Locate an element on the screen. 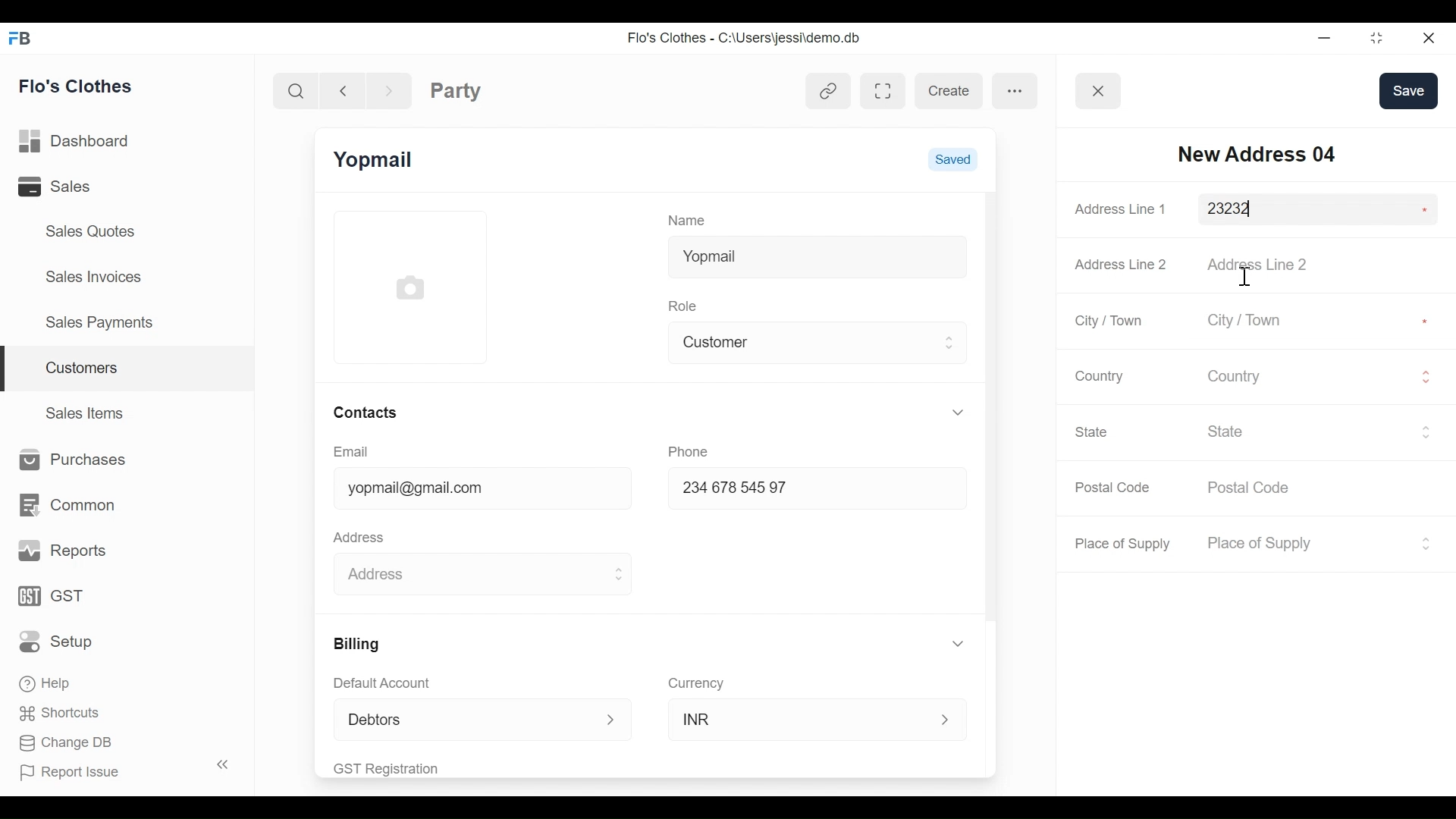 This screenshot has height=819, width=1456. Phone is located at coordinates (693, 450).